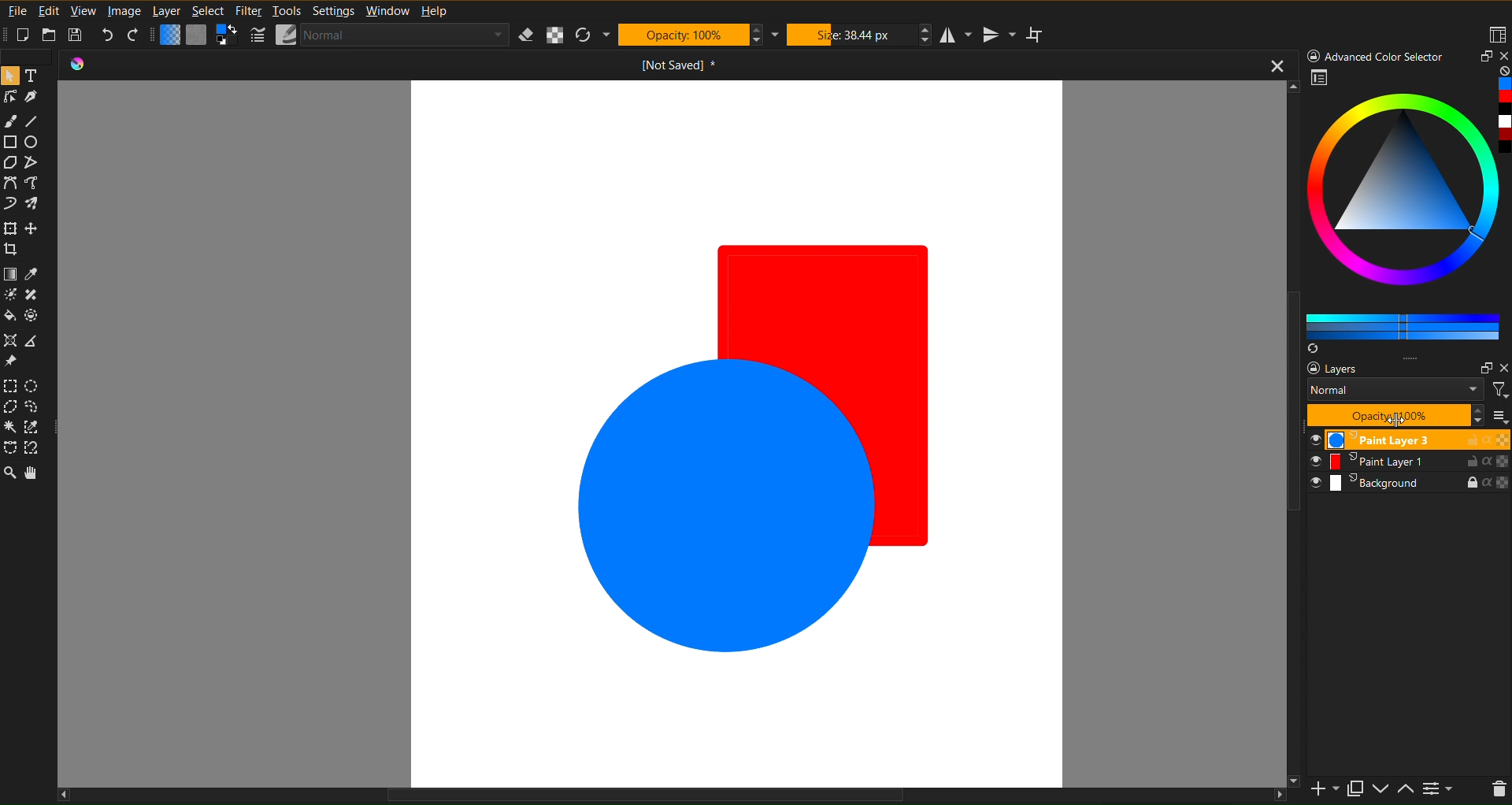  What do you see at coordinates (35, 296) in the screenshot?
I see `Color Tool` at bounding box center [35, 296].